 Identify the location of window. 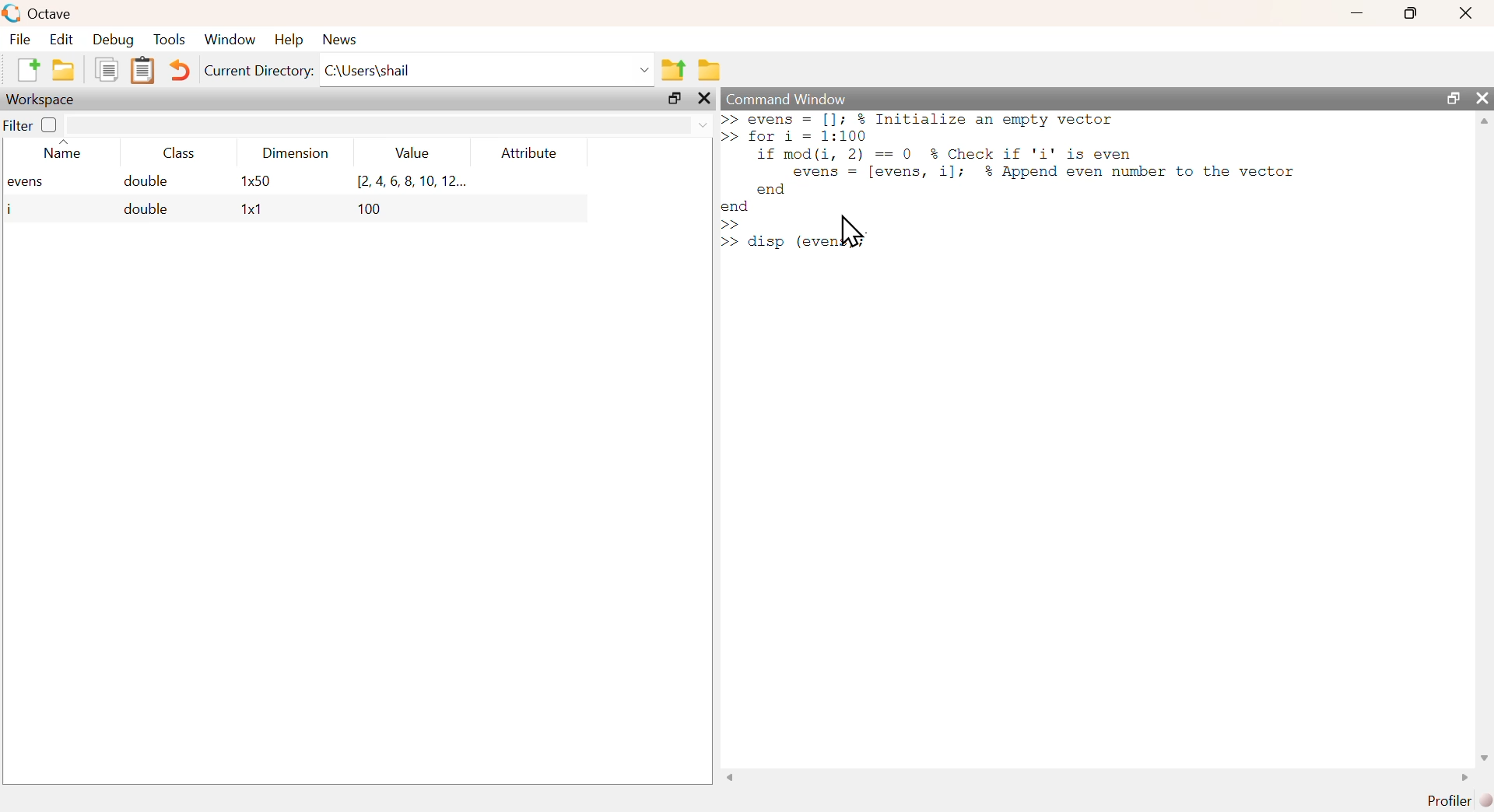
(231, 40).